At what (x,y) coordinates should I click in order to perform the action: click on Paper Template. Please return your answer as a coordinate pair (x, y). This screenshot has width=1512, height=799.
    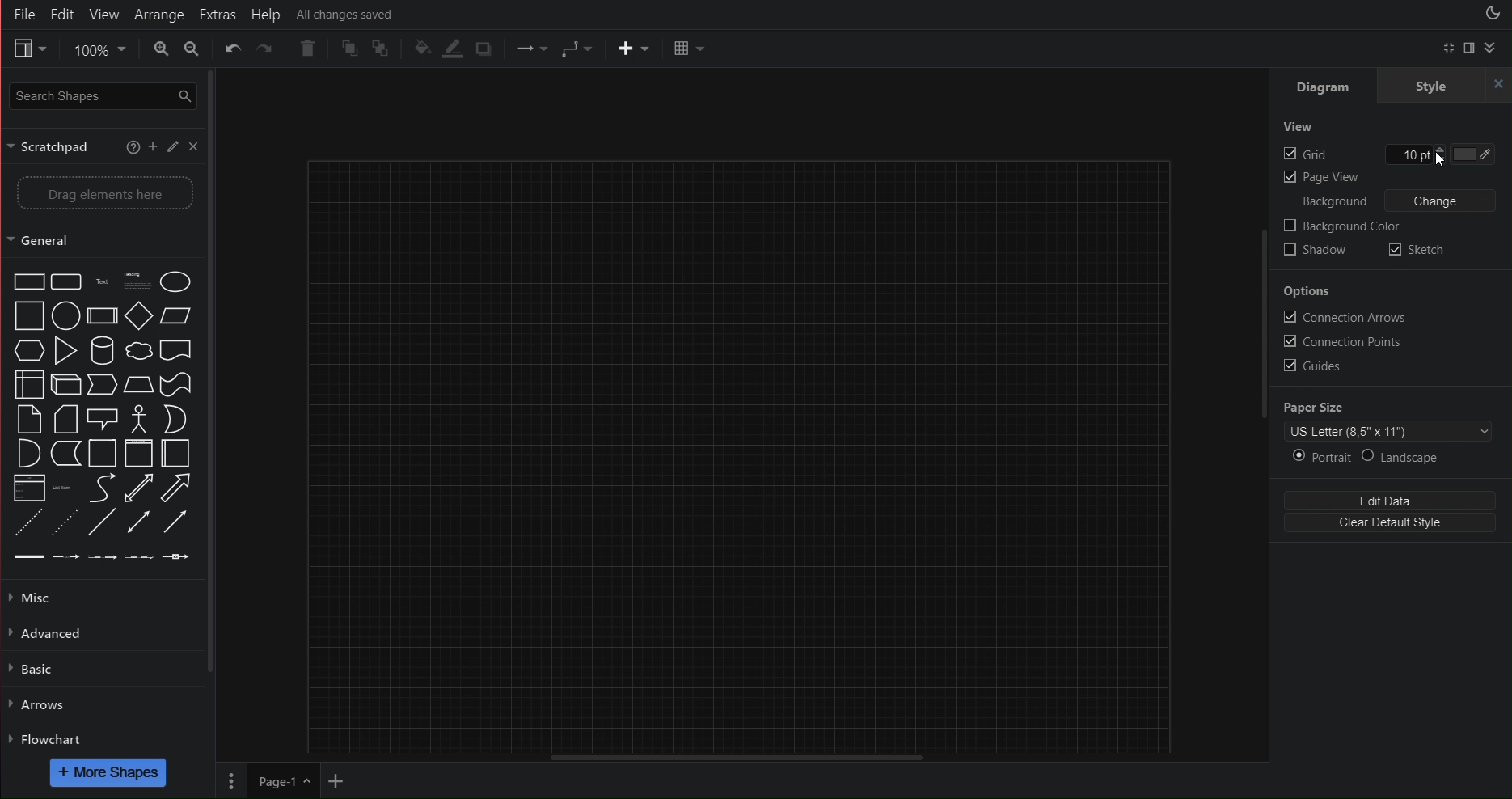
    Looking at the image, I should click on (1388, 429).